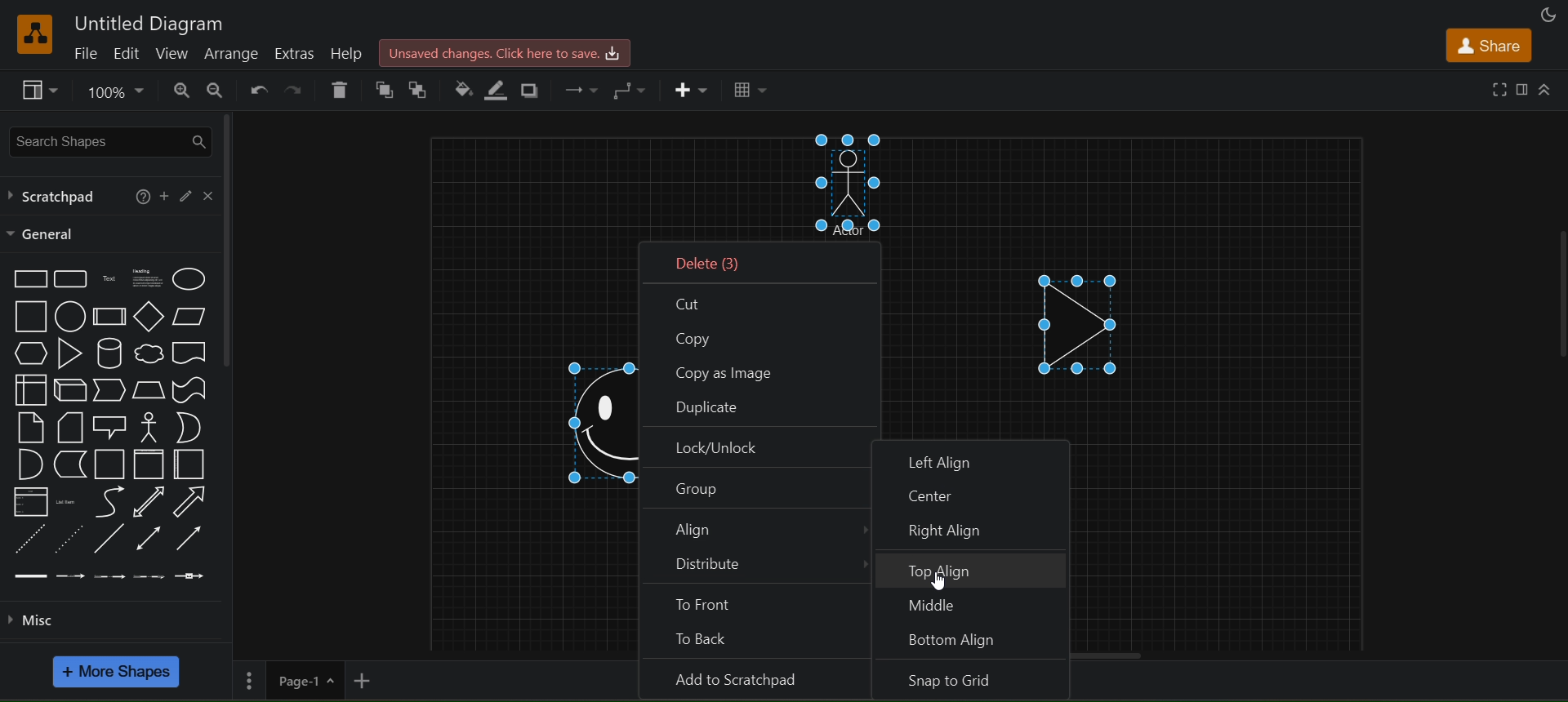 Image resolution: width=1568 pixels, height=702 pixels. Describe the element at coordinates (70, 464) in the screenshot. I see `data storage` at that location.